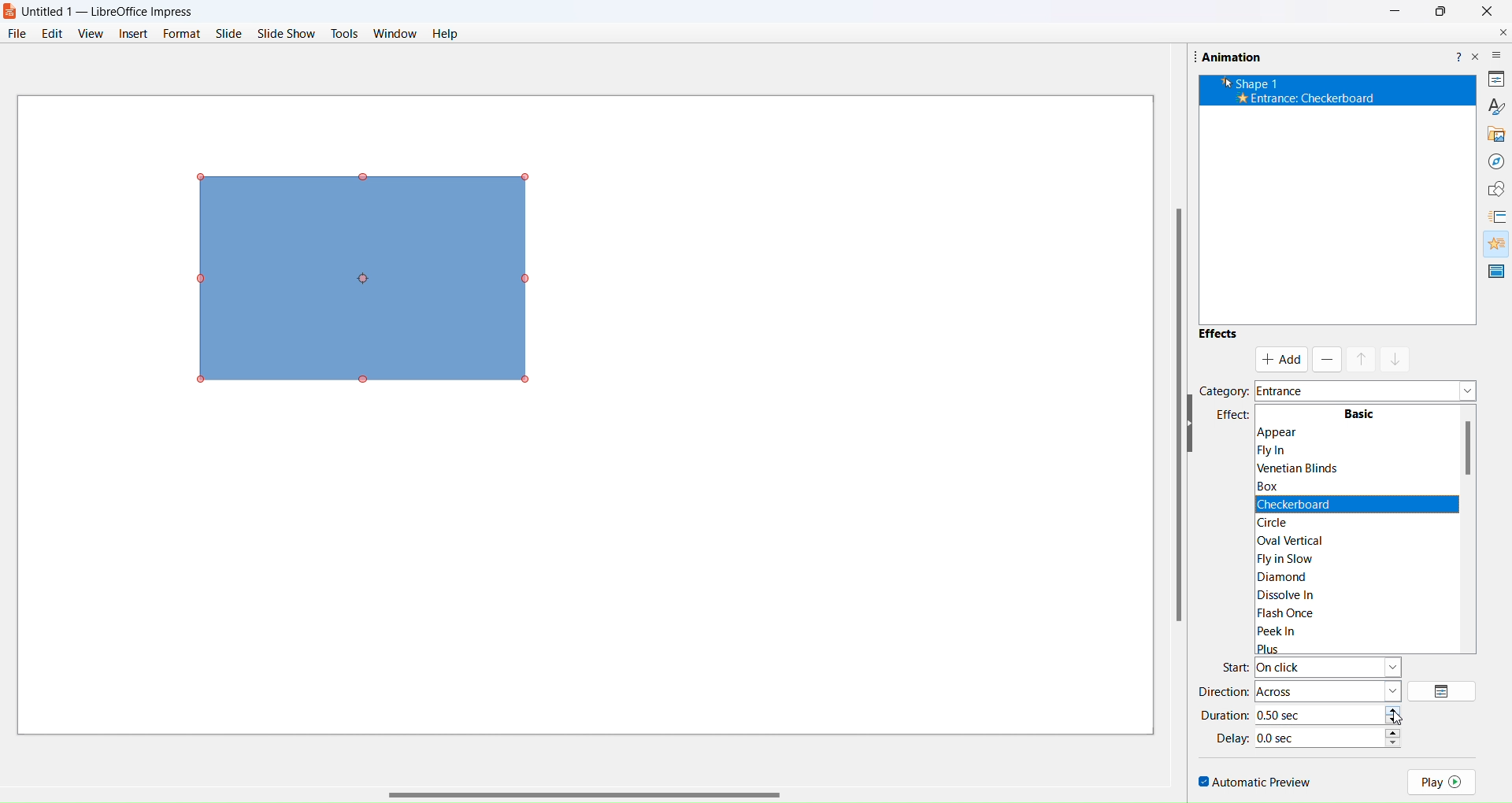 The height and width of the screenshot is (803, 1512). What do you see at coordinates (1329, 690) in the screenshot?
I see `direction type` at bounding box center [1329, 690].